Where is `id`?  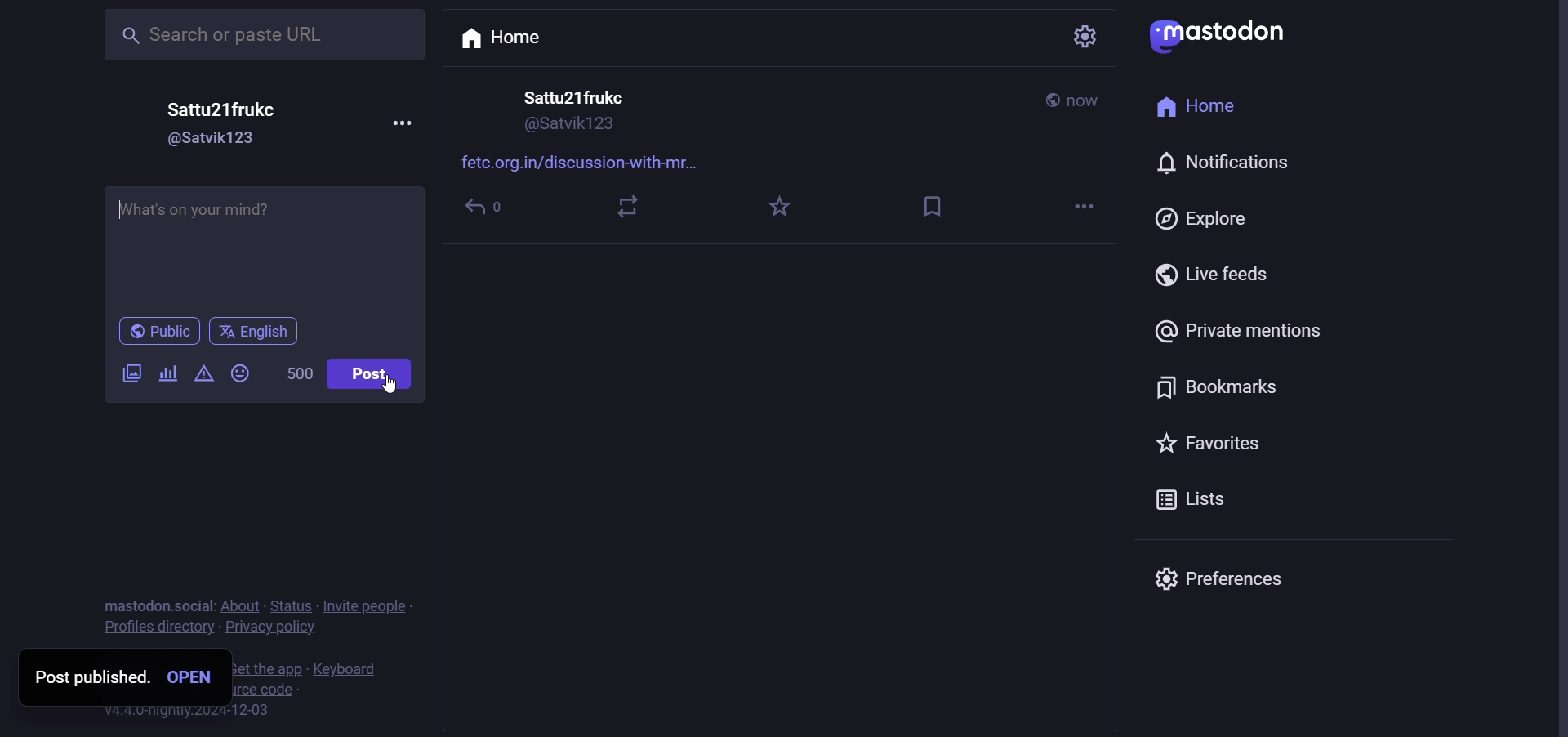
id is located at coordinates (218, 140).